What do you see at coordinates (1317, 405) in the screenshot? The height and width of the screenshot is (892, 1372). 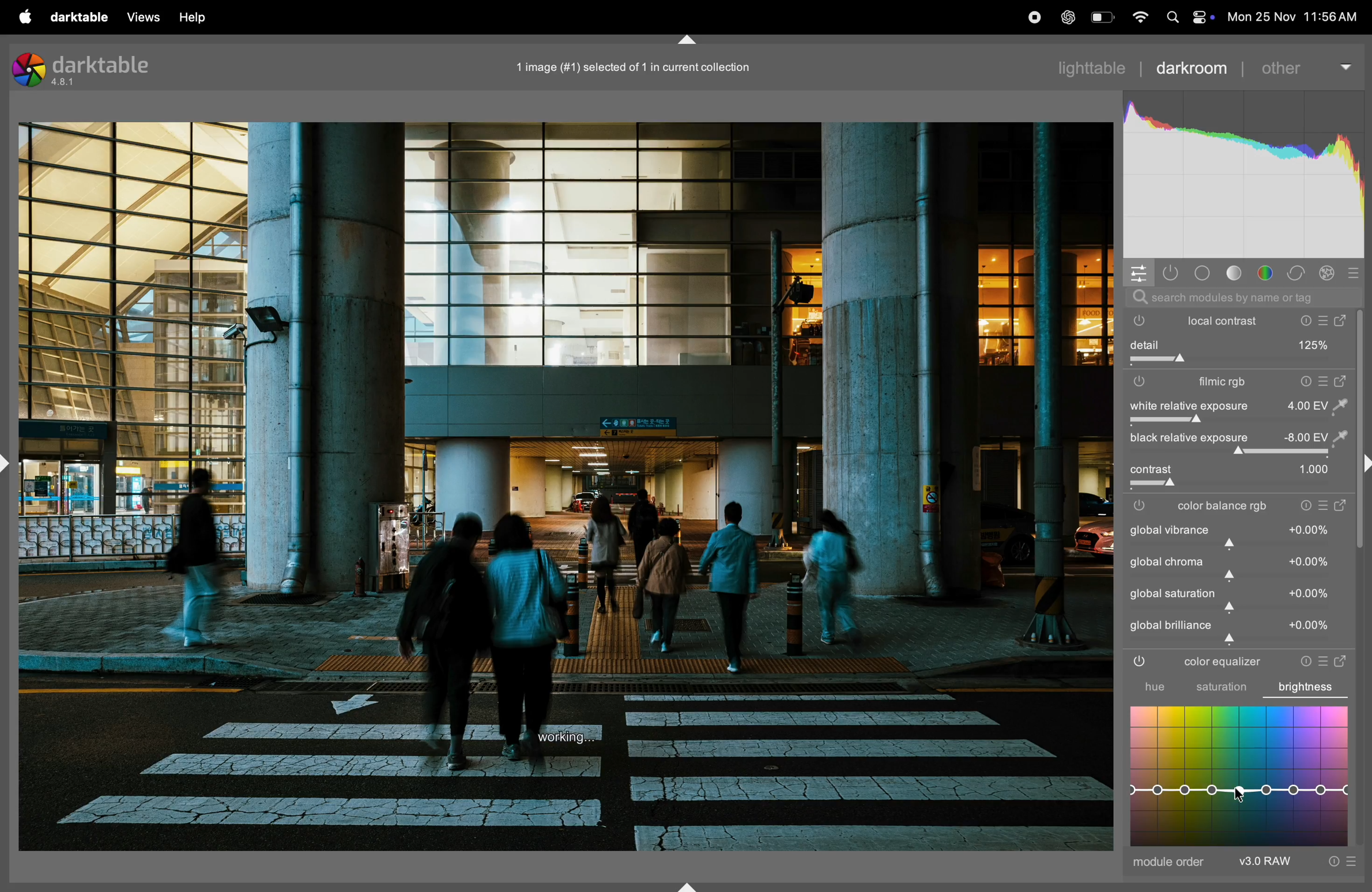 I see `value` at bounding box center [1317, 405].